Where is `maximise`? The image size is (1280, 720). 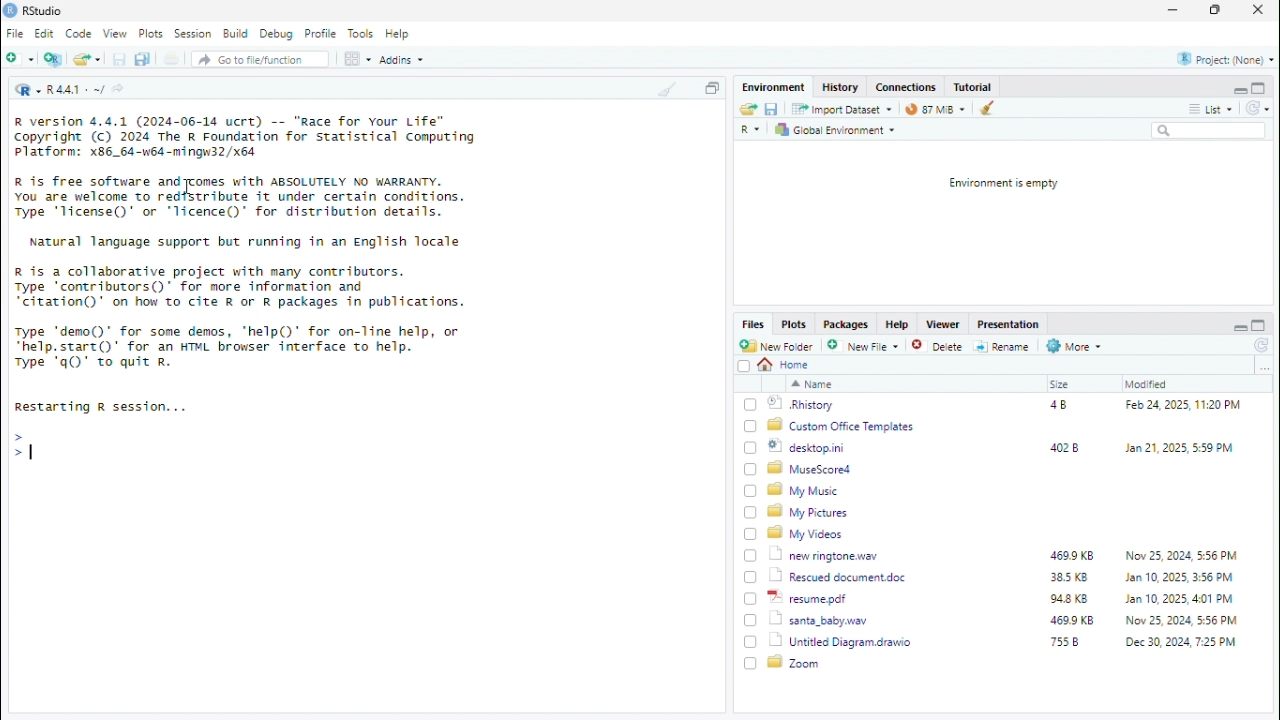 maximise is located at coordinates (1259, 326).